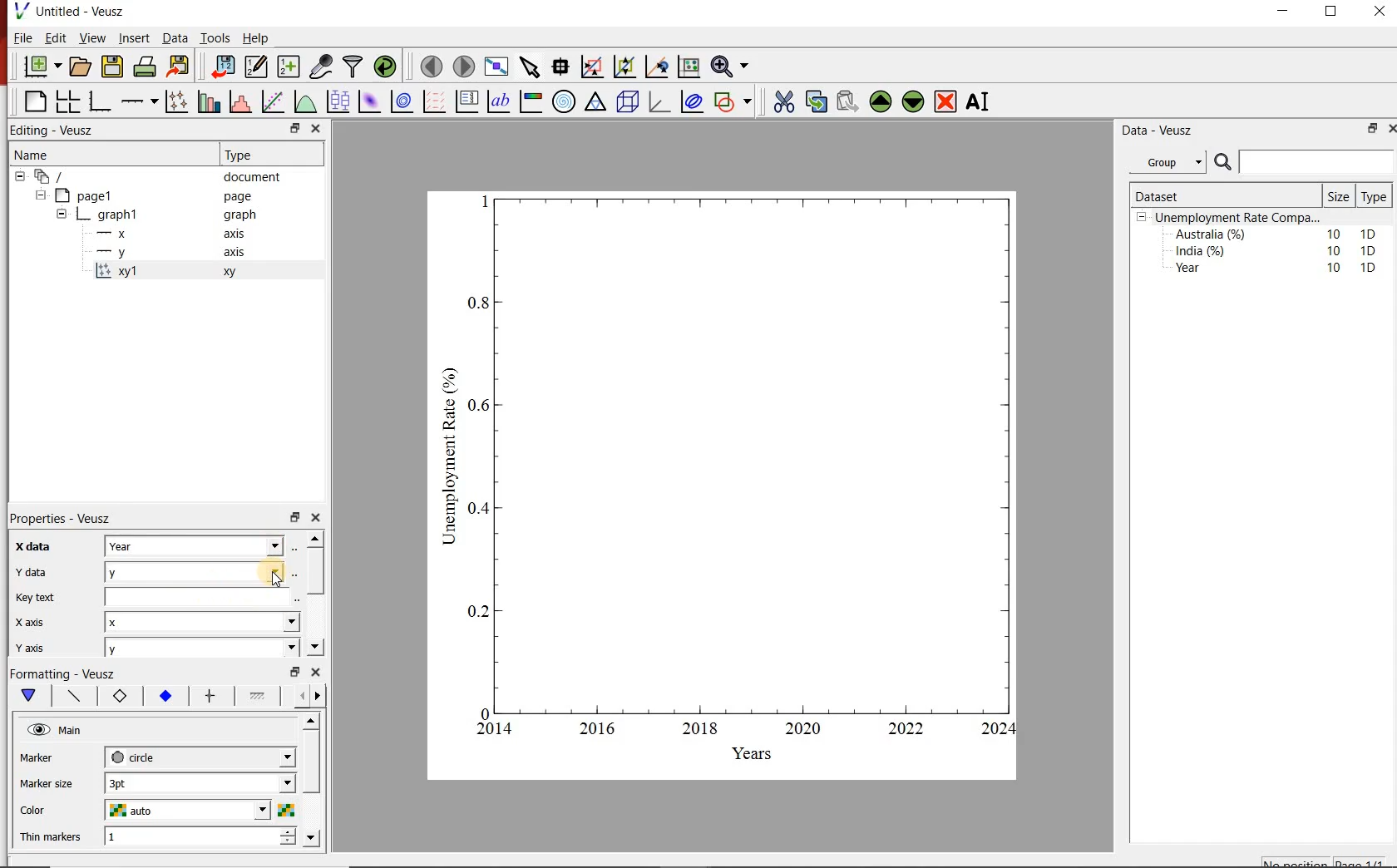 The height and width of the screenshot is (868, 1397). What do you see at coordinates (178, 233) in the screenshot?
I see `x axis` at bounding box center [178, 233].